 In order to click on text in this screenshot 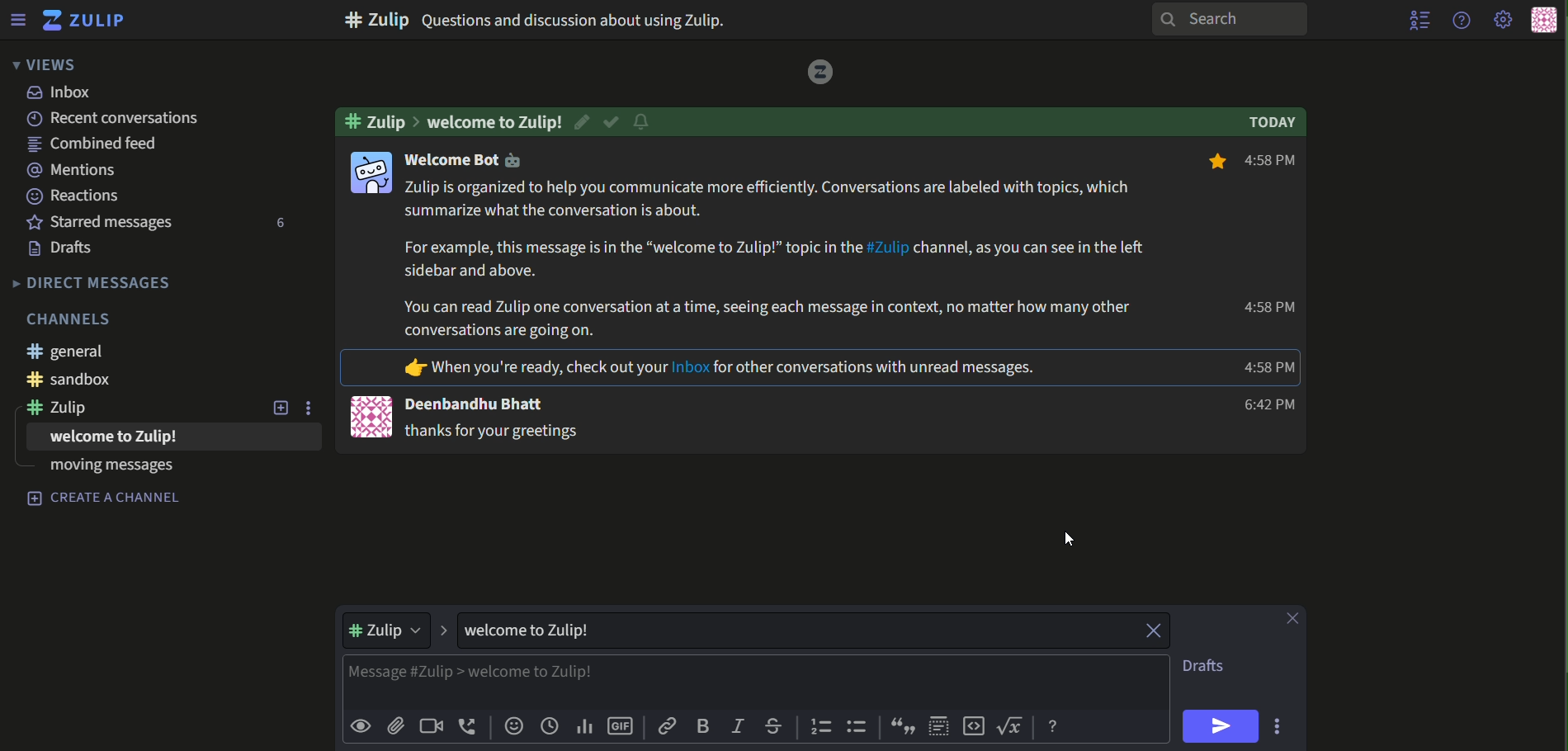, I will do `click(720, 369)`.